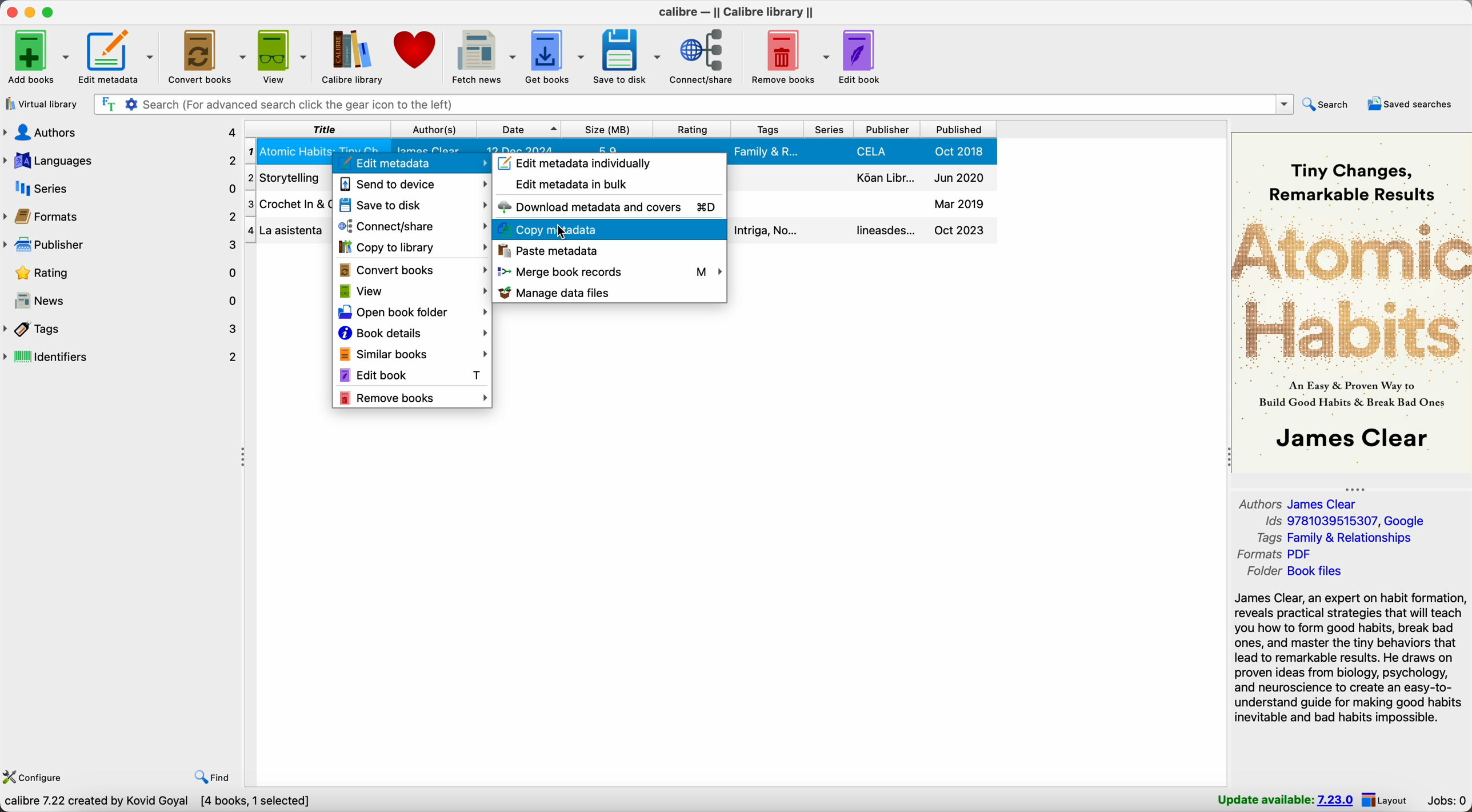 The image size is (1472, 812). Describe the element at coordinates (121, 159) in the screenshot. I see `languages` at that location.